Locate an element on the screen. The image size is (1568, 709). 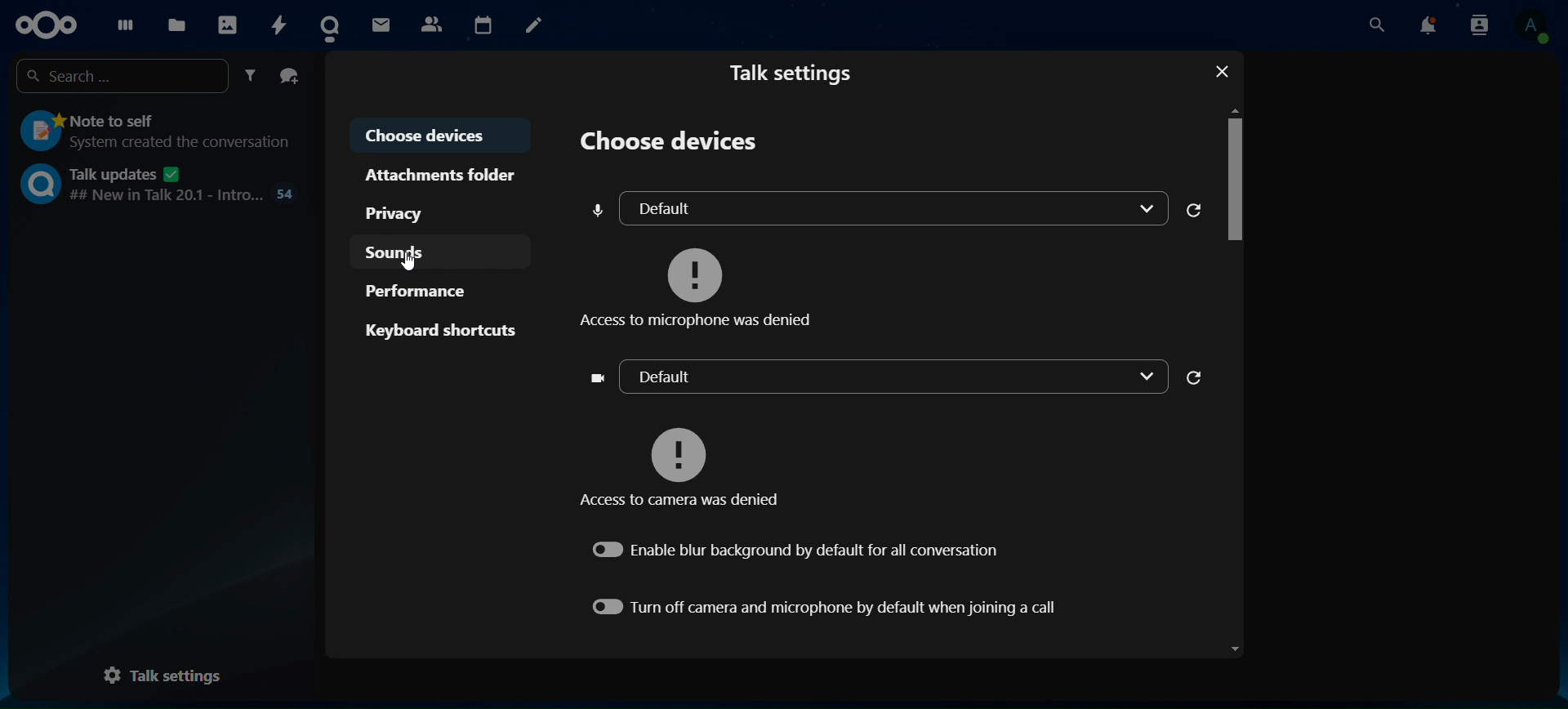
privacy is located at coordinates (412, 214).